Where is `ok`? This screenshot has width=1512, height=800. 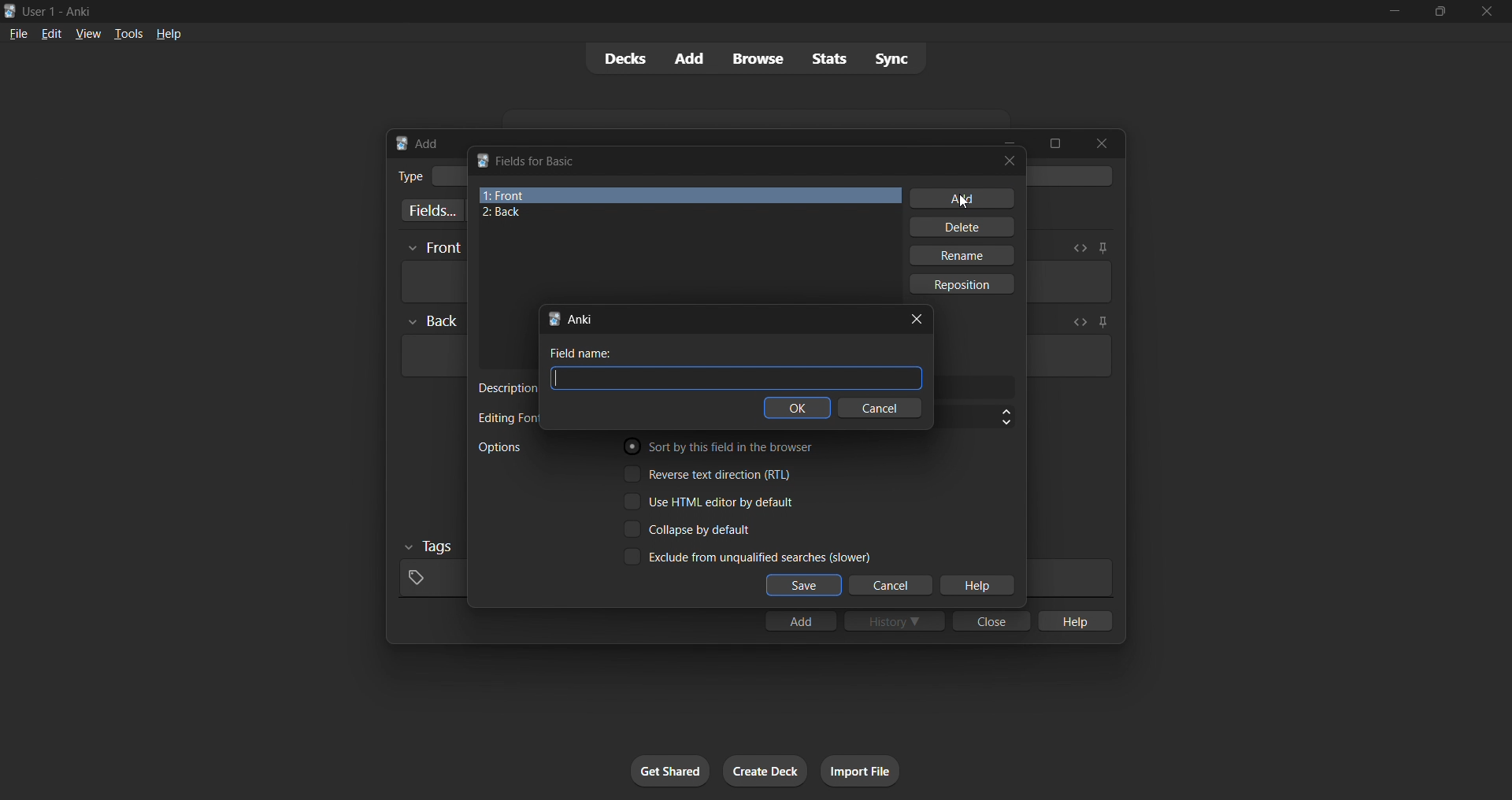 ok is located at coordinates (797, 407).